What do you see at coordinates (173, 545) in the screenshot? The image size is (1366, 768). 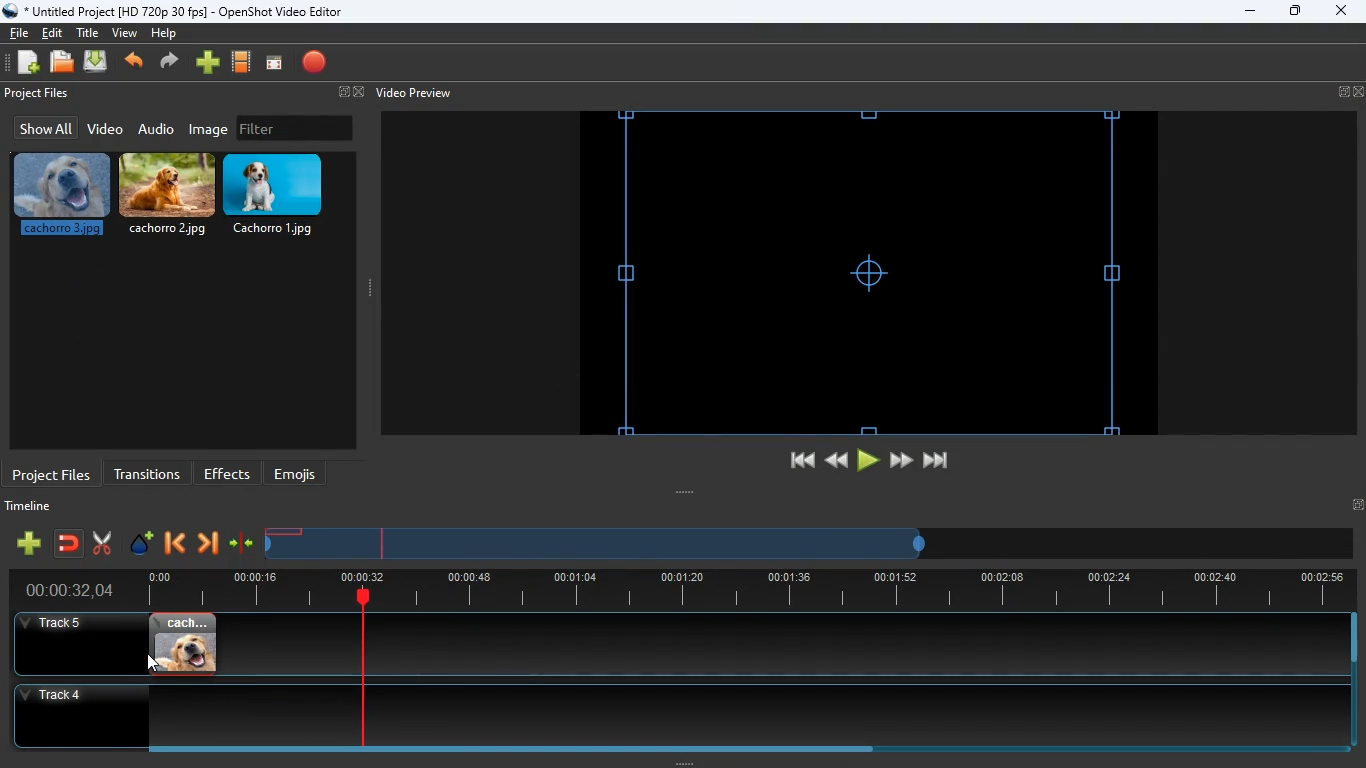 I see `back` at bounding box center [173, 545].